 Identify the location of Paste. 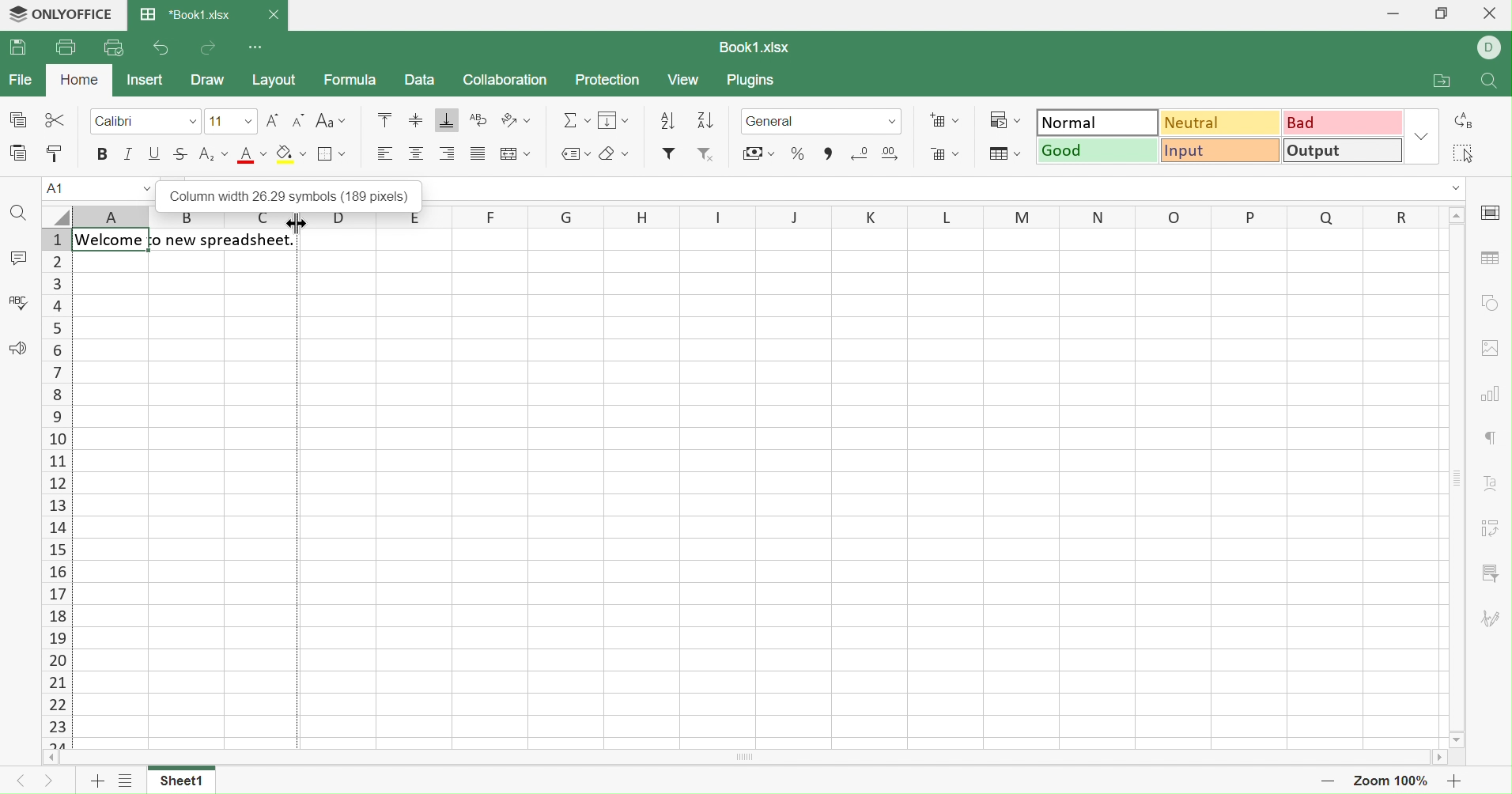
(16, 153).